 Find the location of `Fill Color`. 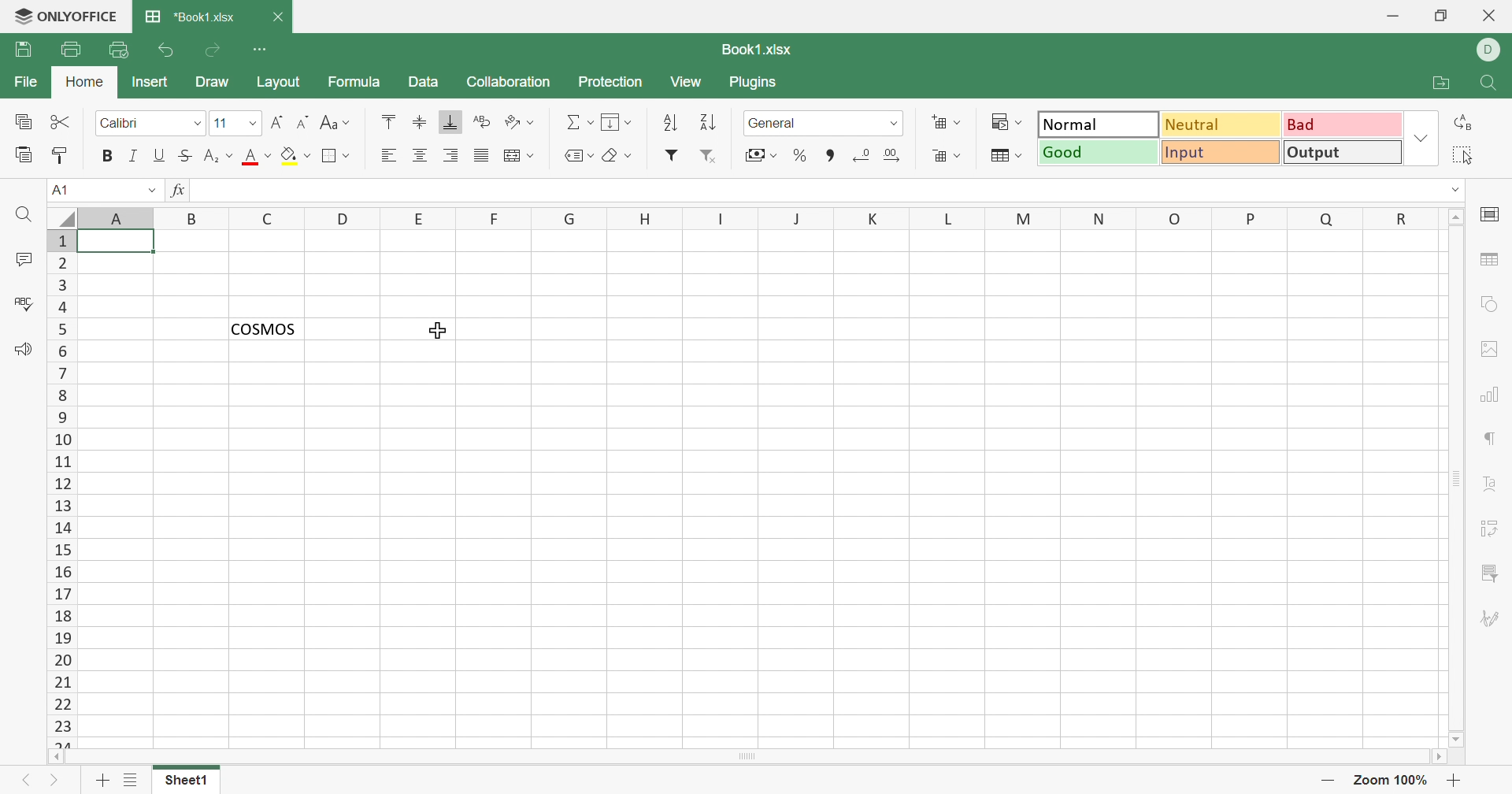

Fill Color is located at coordinates (295, 157).